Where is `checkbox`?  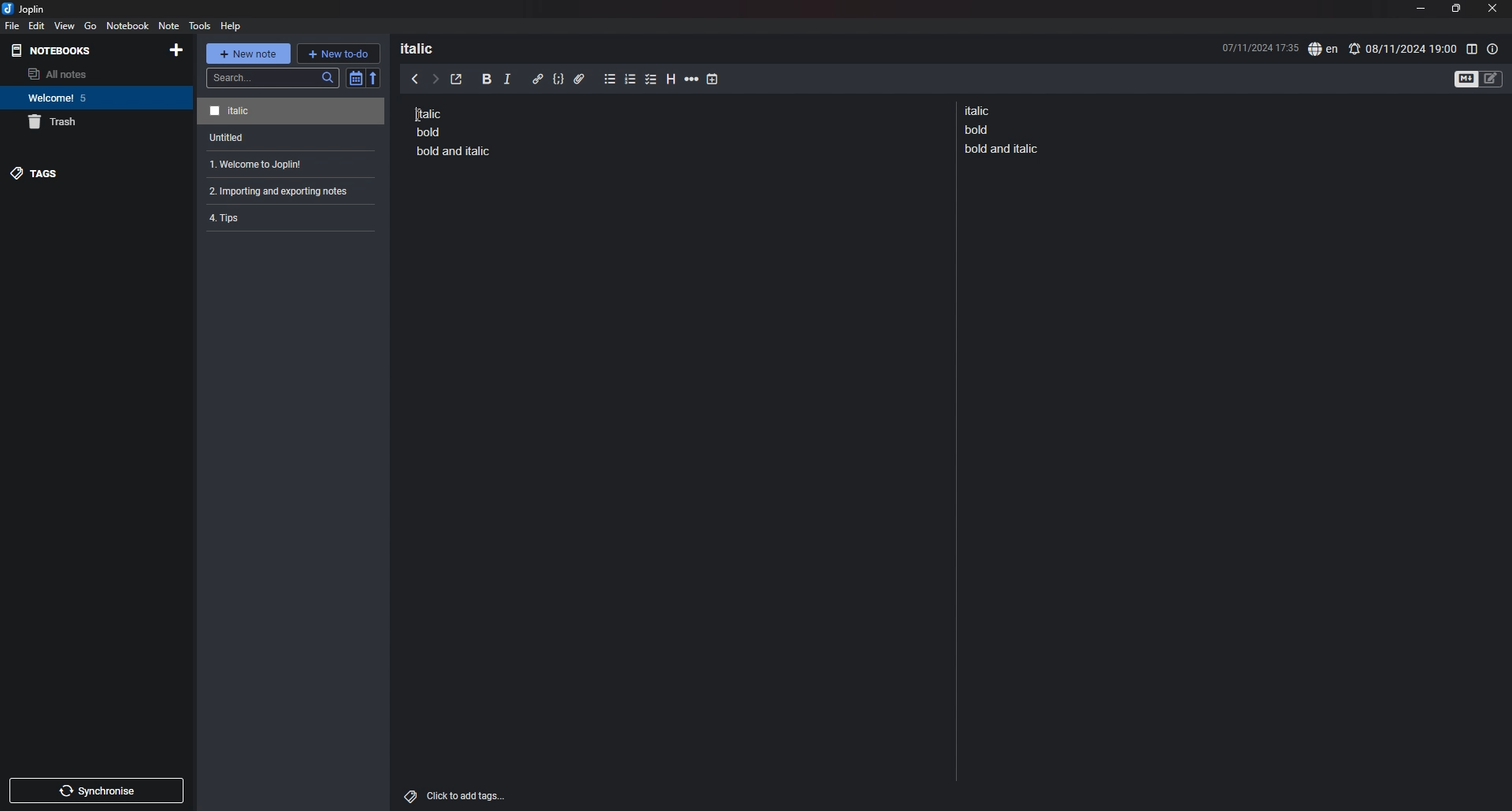 checkbox is located at coordinates (651, 80).